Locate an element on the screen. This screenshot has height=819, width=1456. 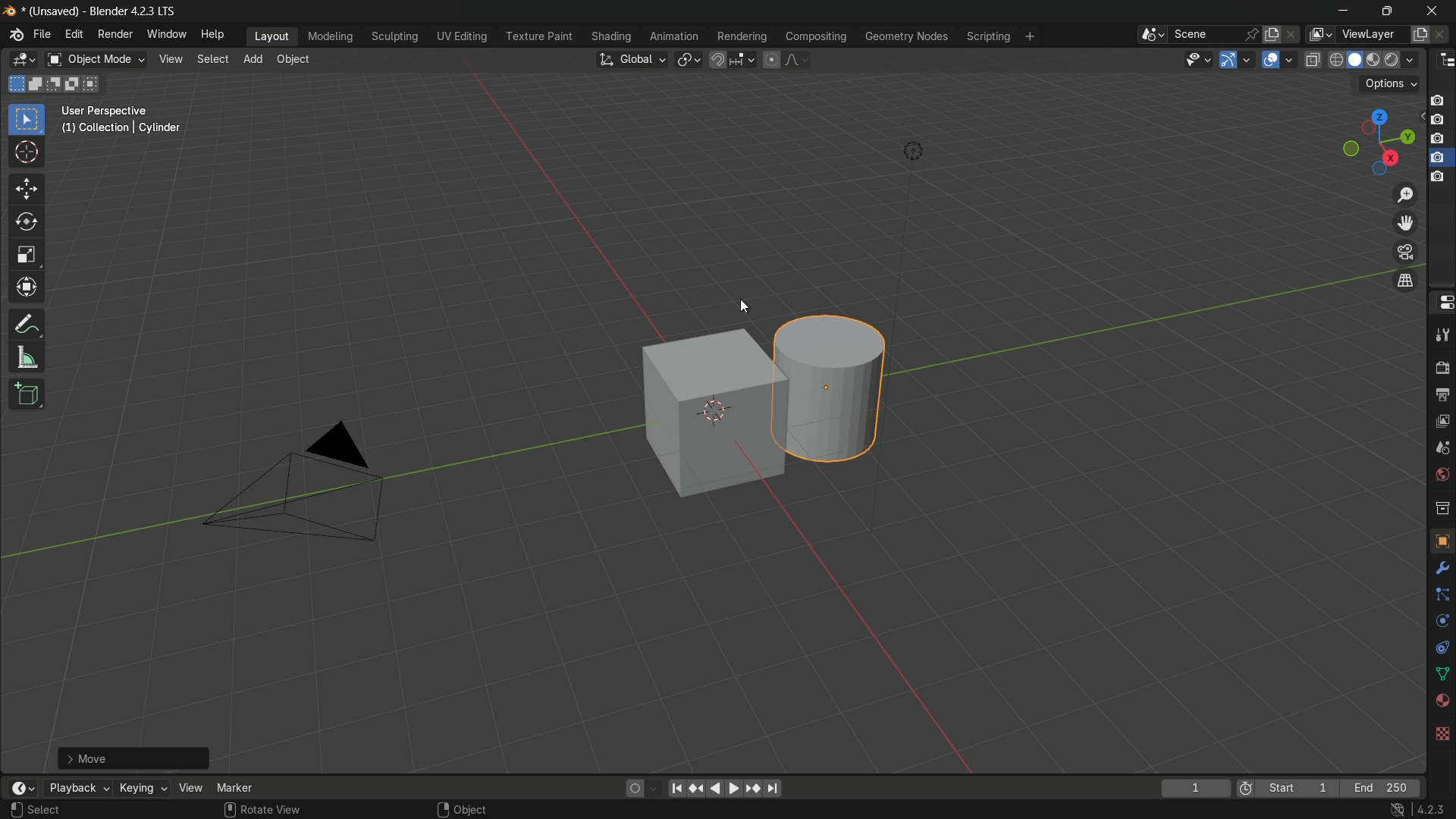
add workplace is located at coordinates (1030, 37).